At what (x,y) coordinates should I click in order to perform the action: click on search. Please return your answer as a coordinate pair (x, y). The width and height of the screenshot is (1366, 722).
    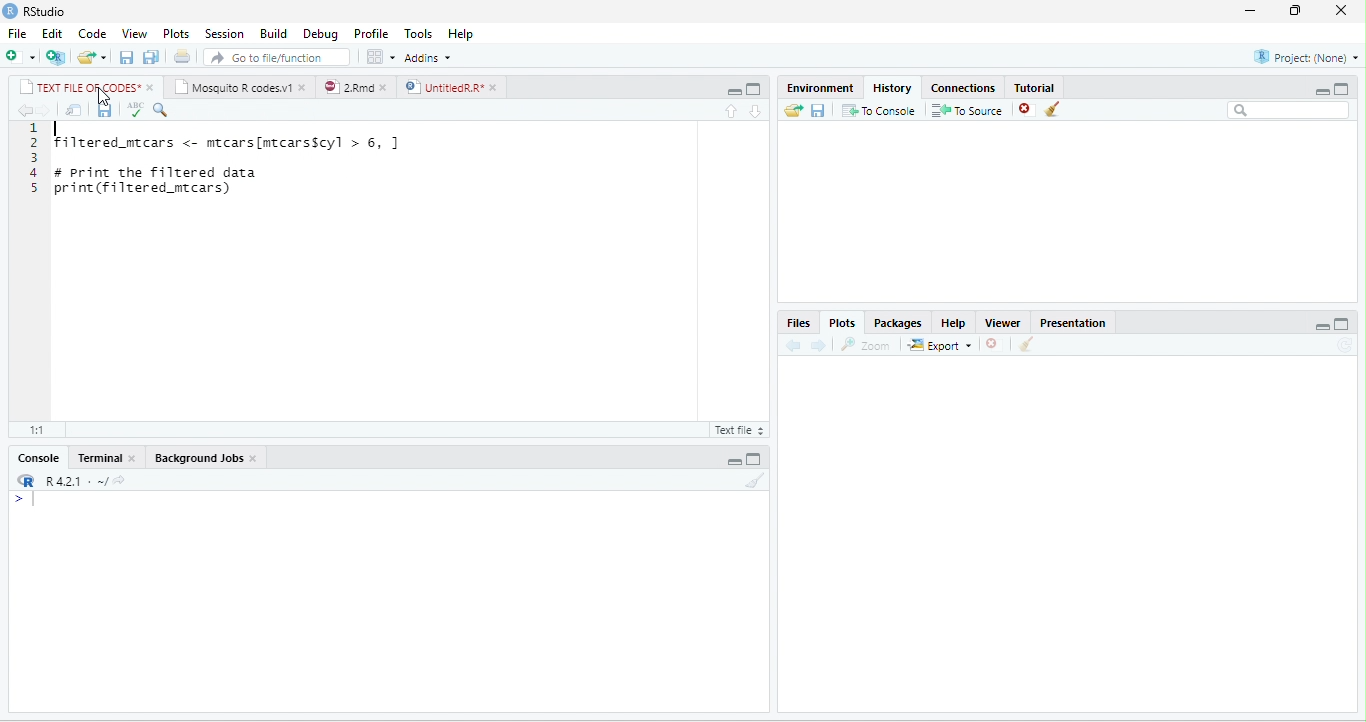
    Looking at the image, I should click on (160, 110).